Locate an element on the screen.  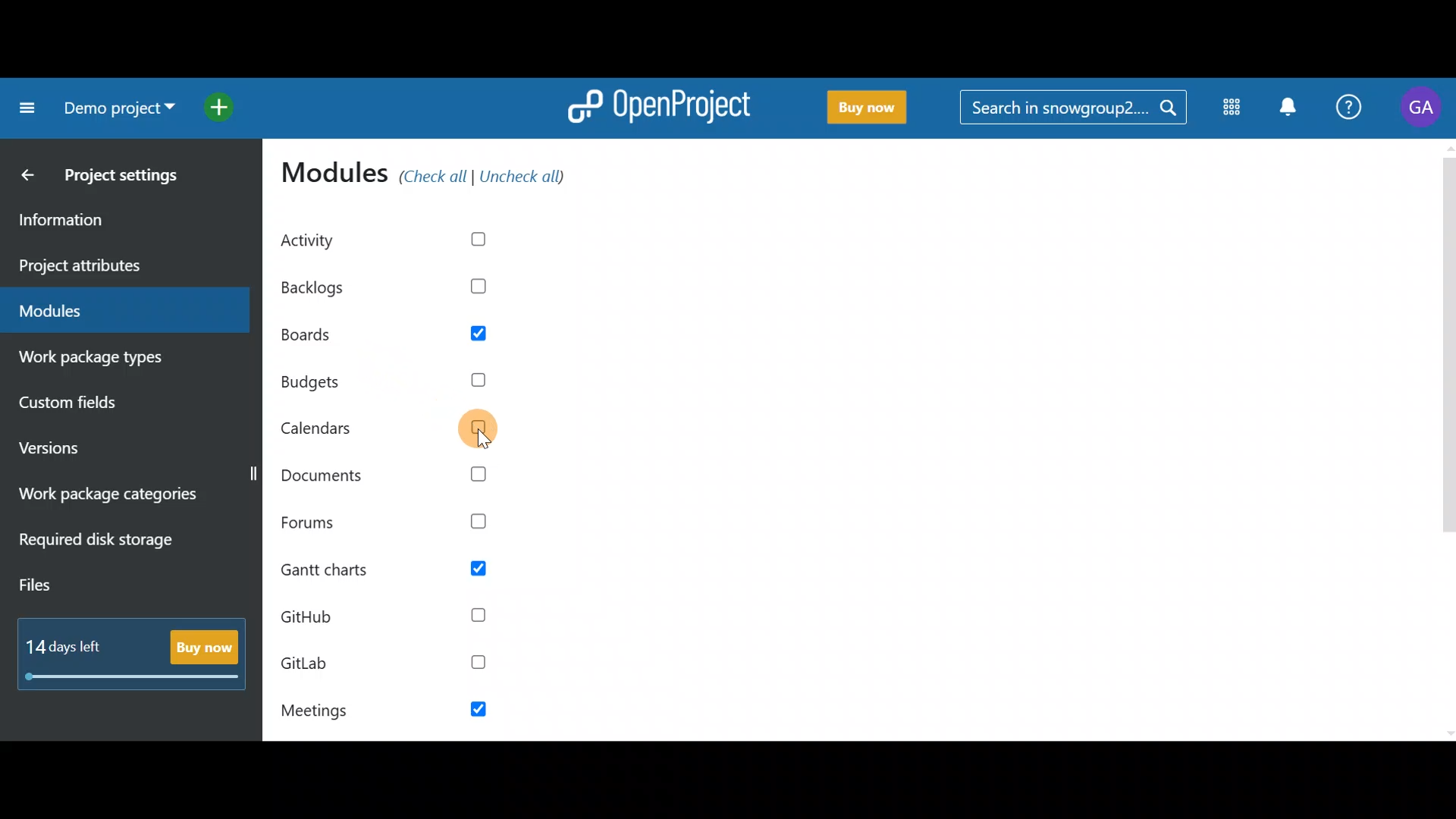
Buy now is located at coordinates (870, 110).